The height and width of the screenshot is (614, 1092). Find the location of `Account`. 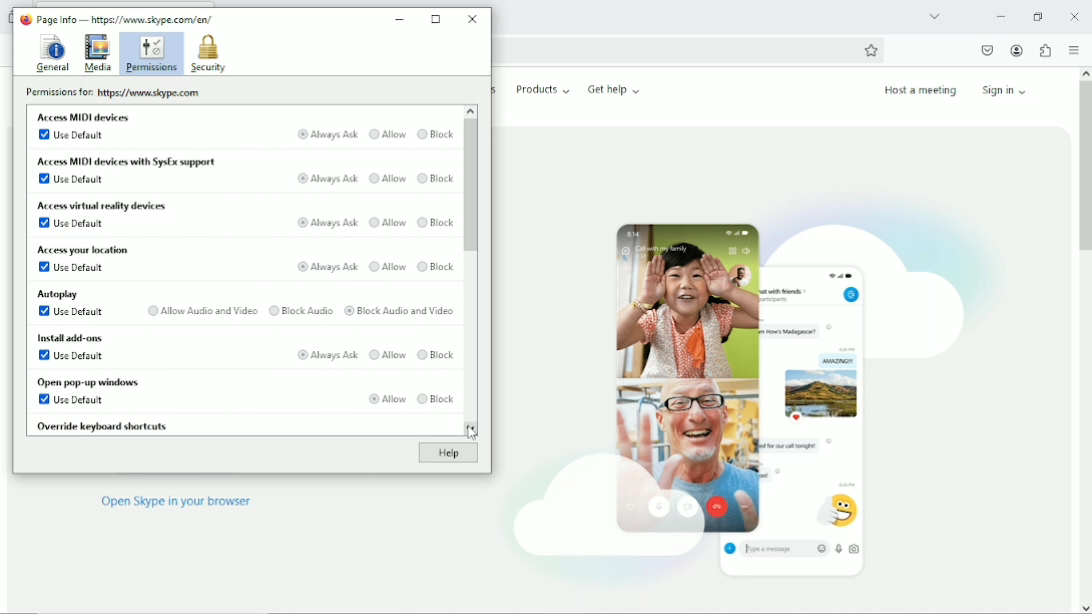

Account is located at coordinates (1017, 51).